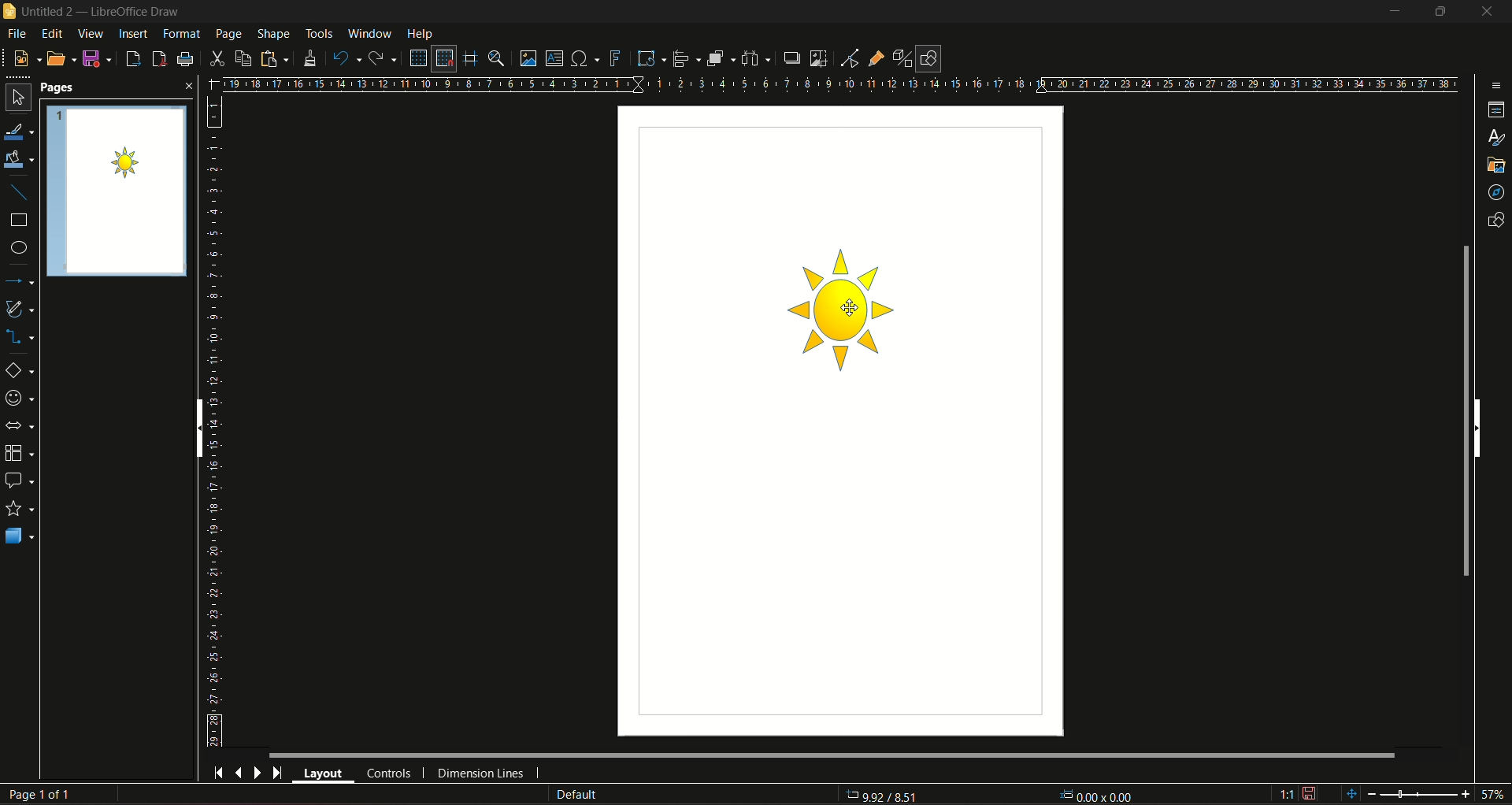 The image size is (1512, 805). I want to click on line and arrow, so click(20, 280).